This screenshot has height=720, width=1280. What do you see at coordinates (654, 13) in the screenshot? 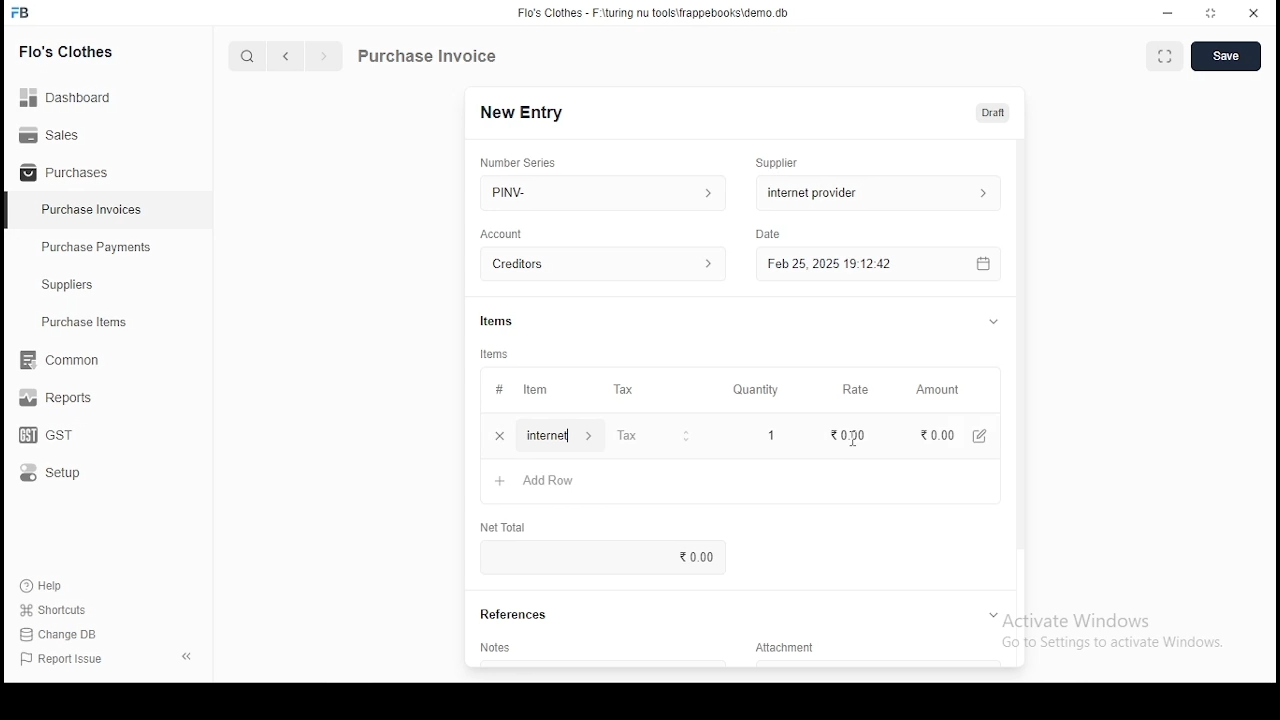
I see `flo's clothes - F:\turing nu tools\frappebooks\demo.db` at bounding box center [654, 13].